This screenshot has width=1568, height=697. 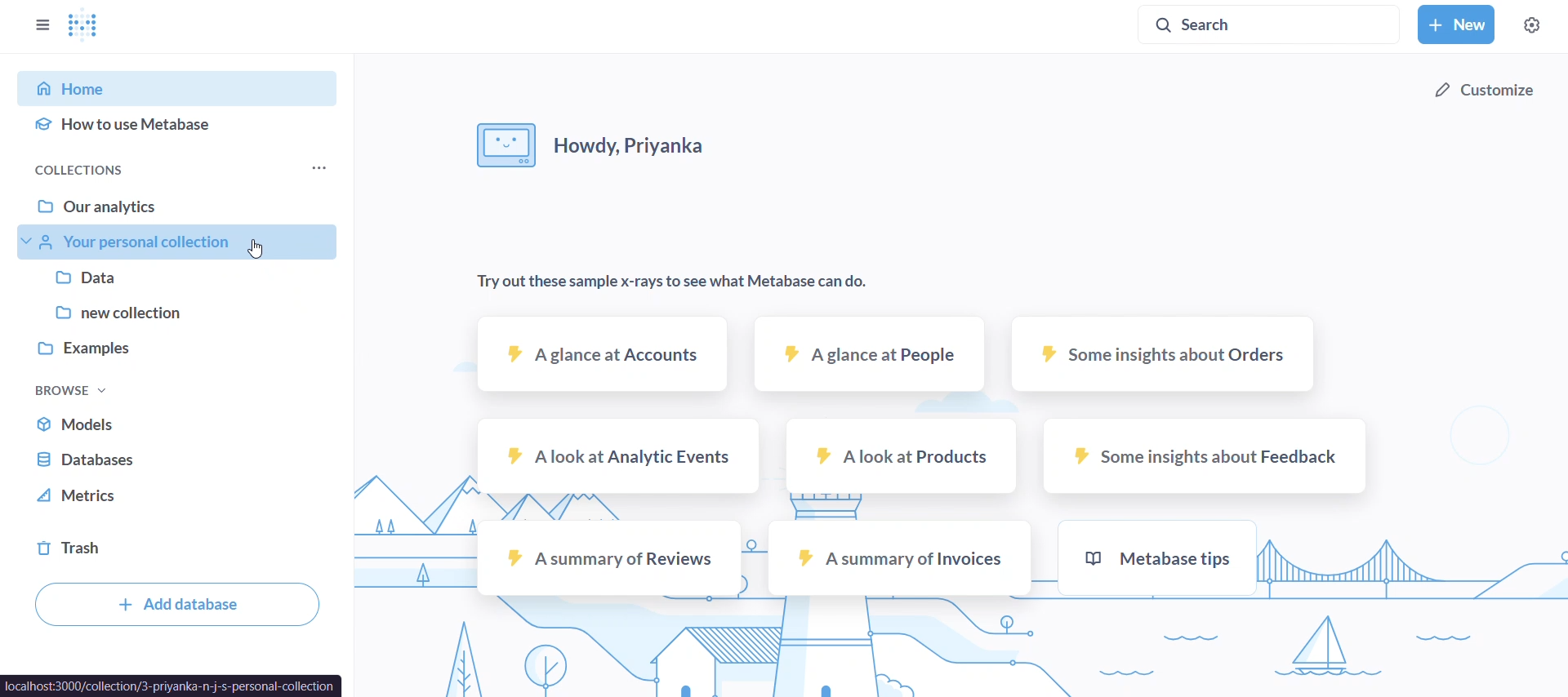 What do you see at coordinates (181, 242) in the screenshot?
I see `your personal collections` at bounding box center [181, 242].